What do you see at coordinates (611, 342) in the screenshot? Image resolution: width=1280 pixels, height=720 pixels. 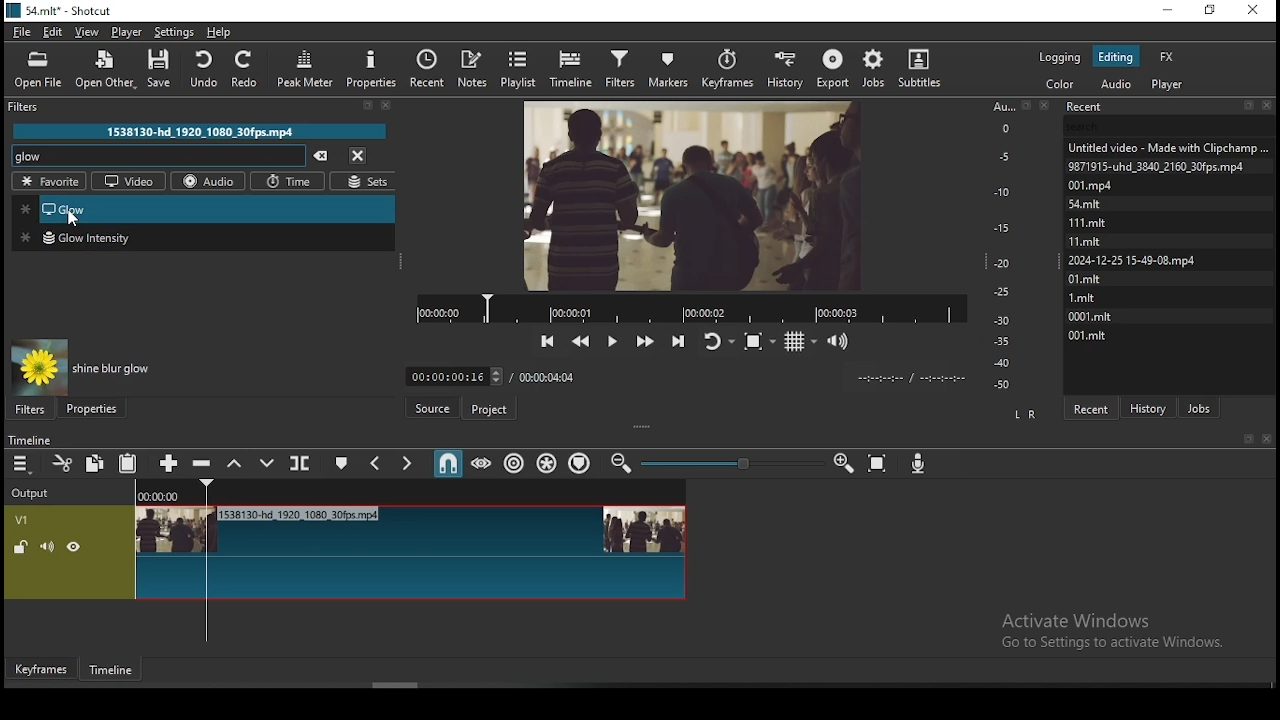 I see `play/pause` at bounding box center [611, 342].